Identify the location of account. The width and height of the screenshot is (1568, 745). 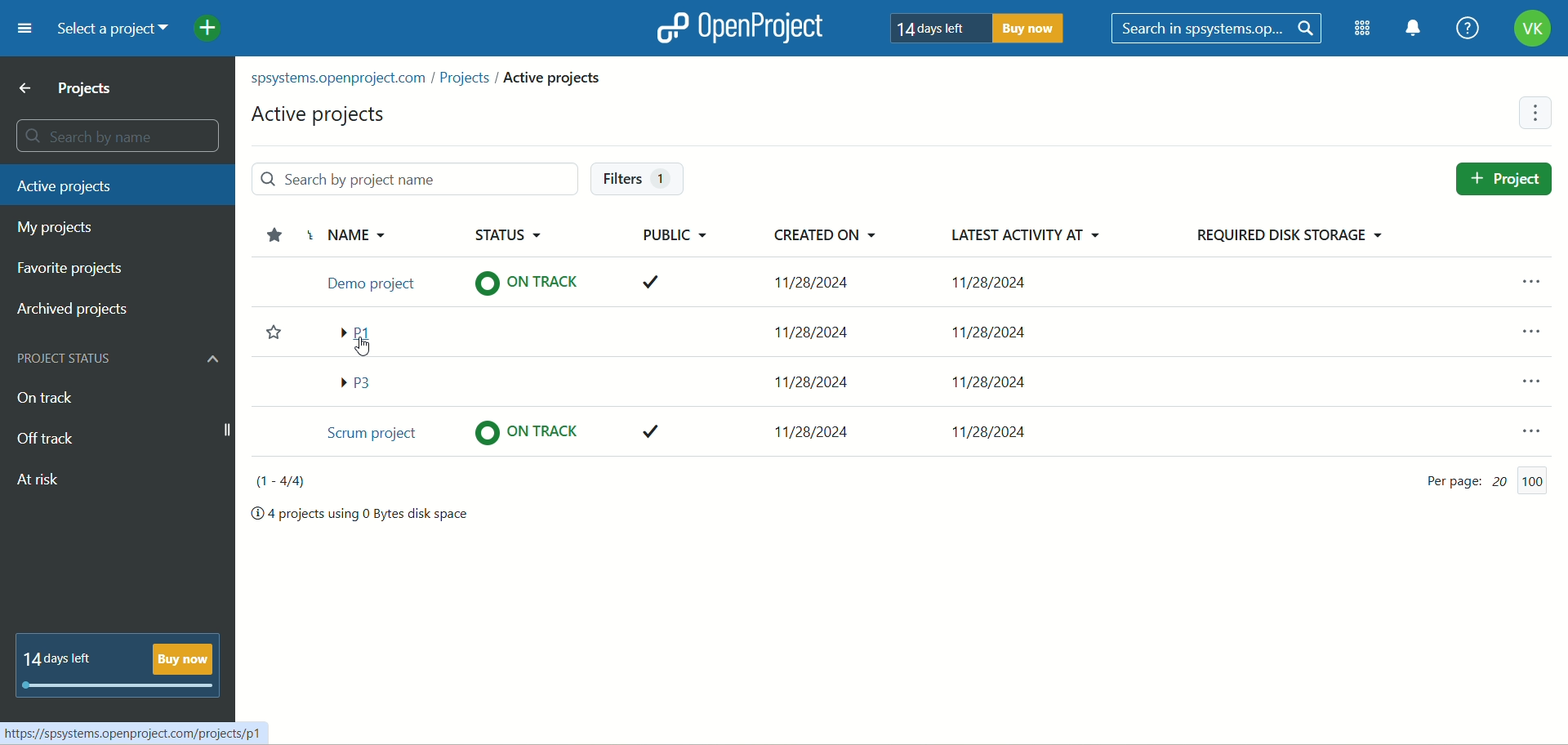
(1533, 29).